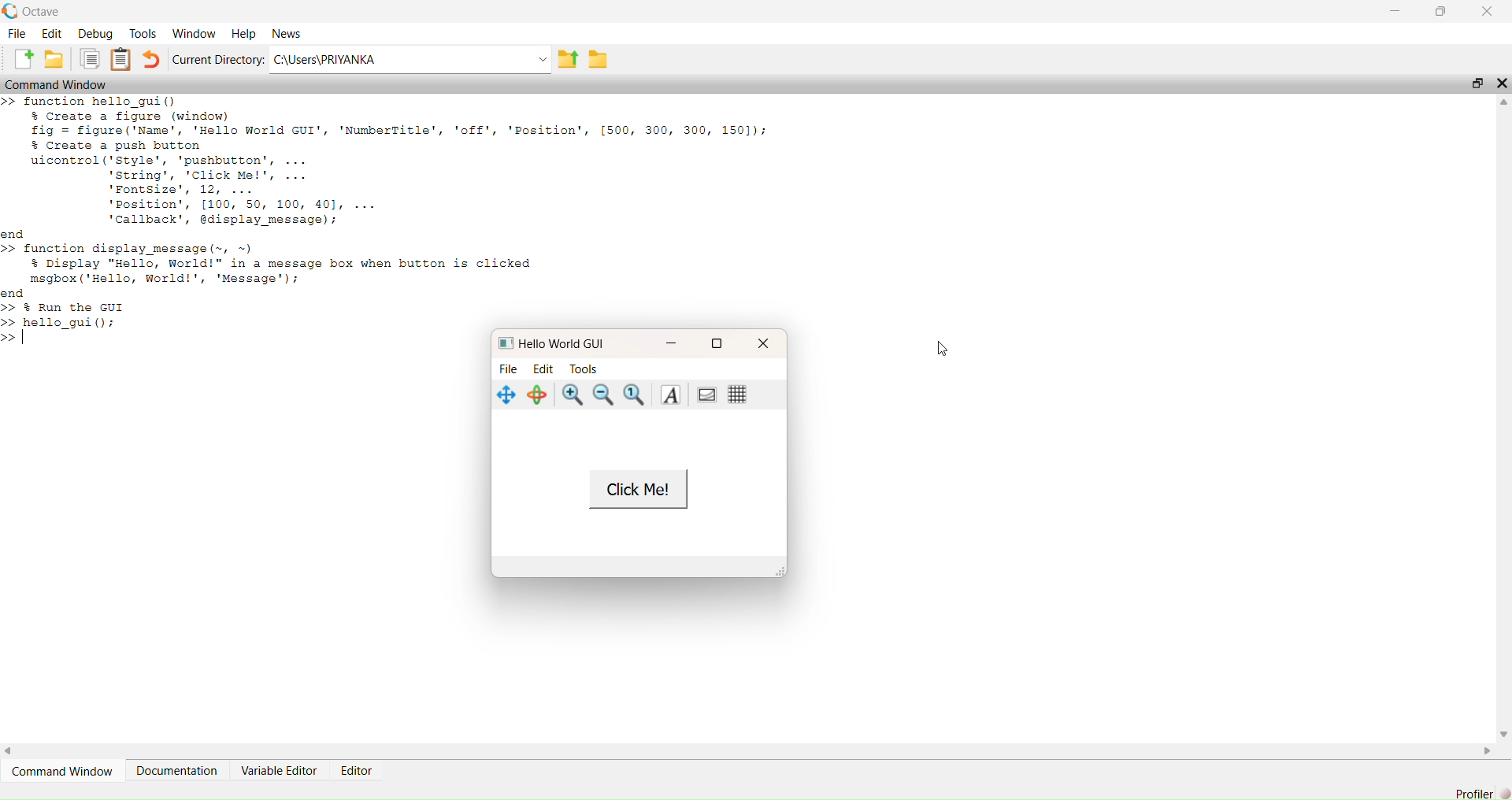  I want to click on maximise, so click(1443, 13).